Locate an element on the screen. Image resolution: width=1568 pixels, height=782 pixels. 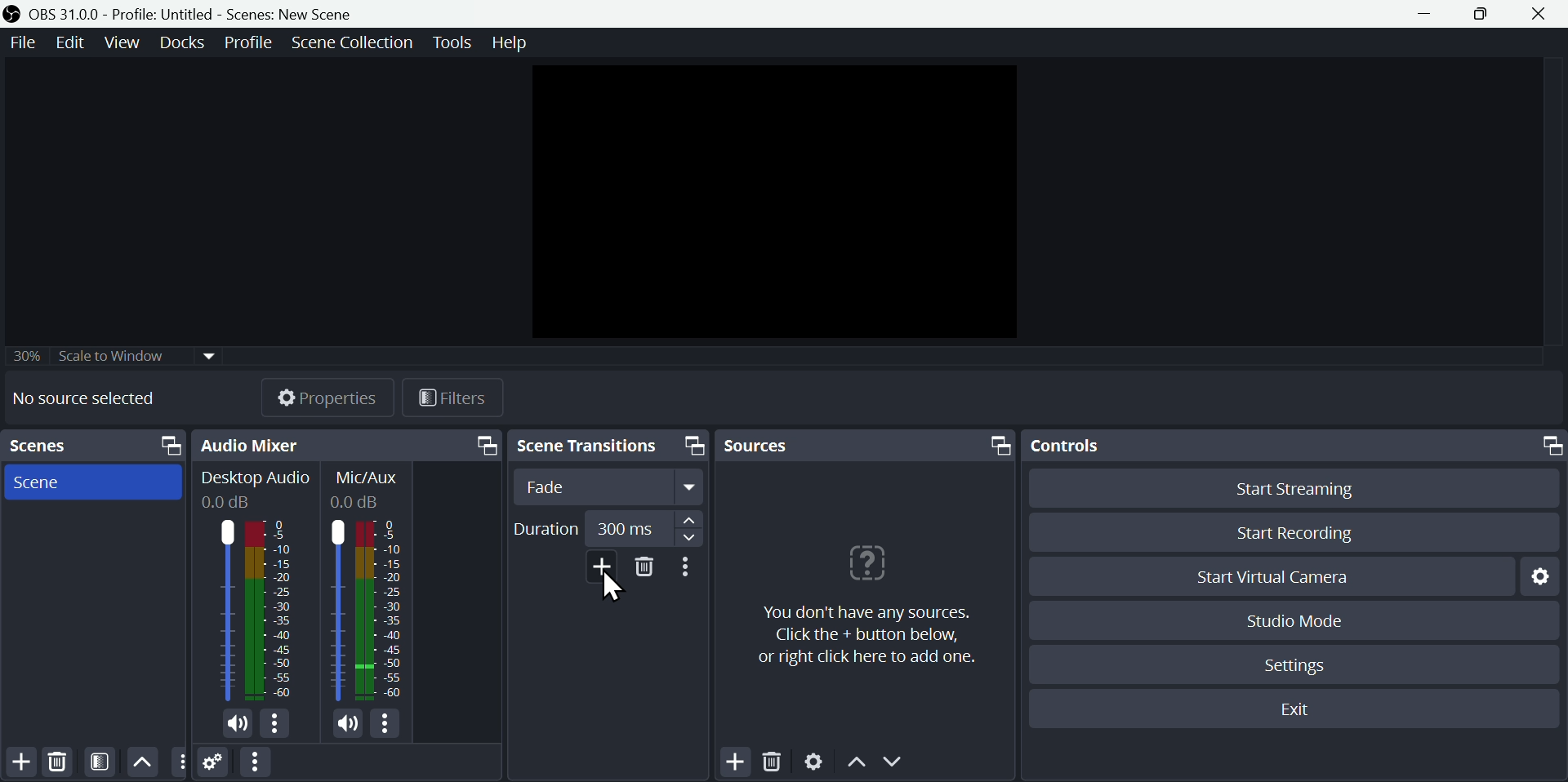
more options is located at coordinates (390, 726).